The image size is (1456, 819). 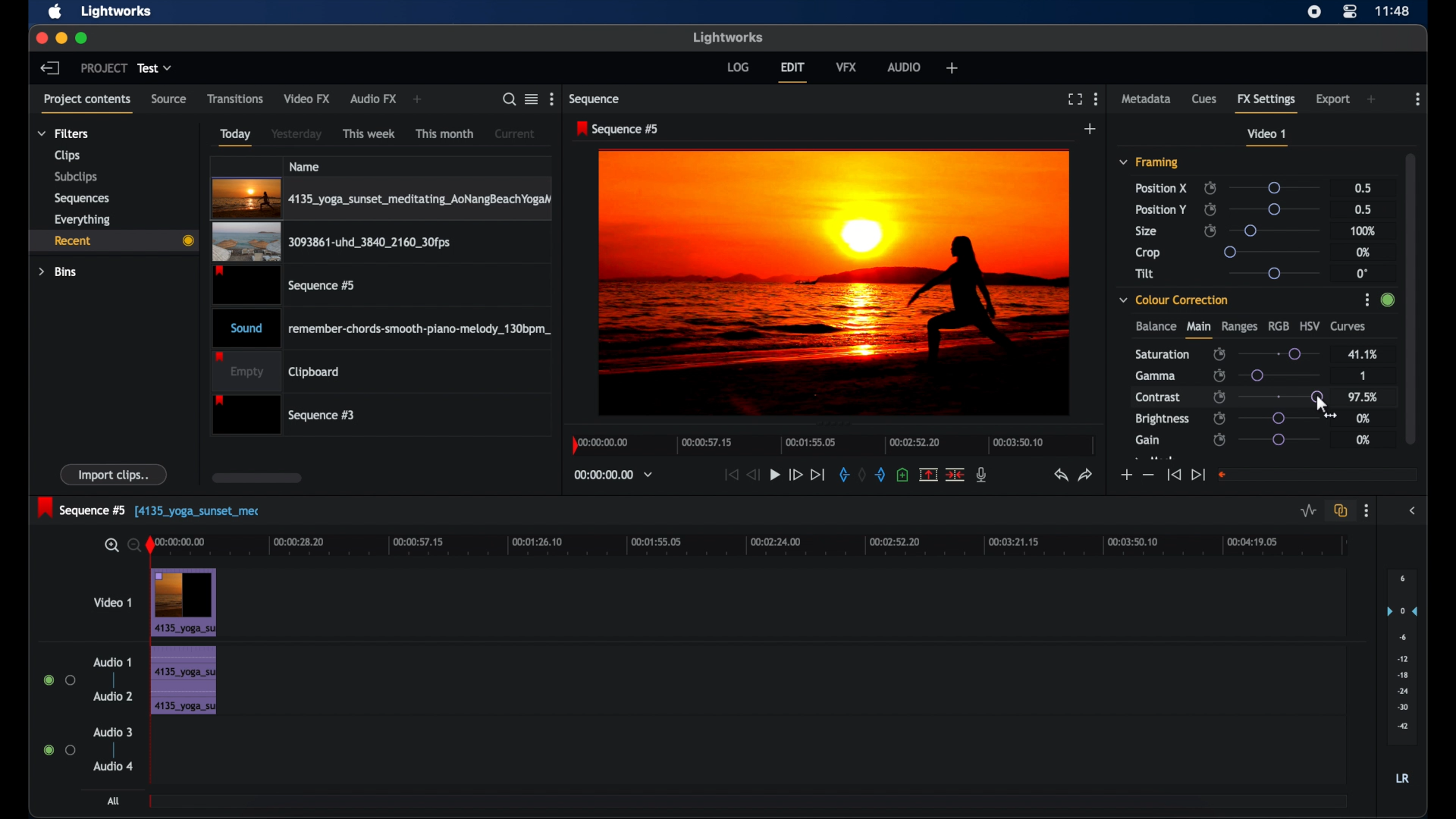 I want to click on video preview, so click(x=836, y=284).